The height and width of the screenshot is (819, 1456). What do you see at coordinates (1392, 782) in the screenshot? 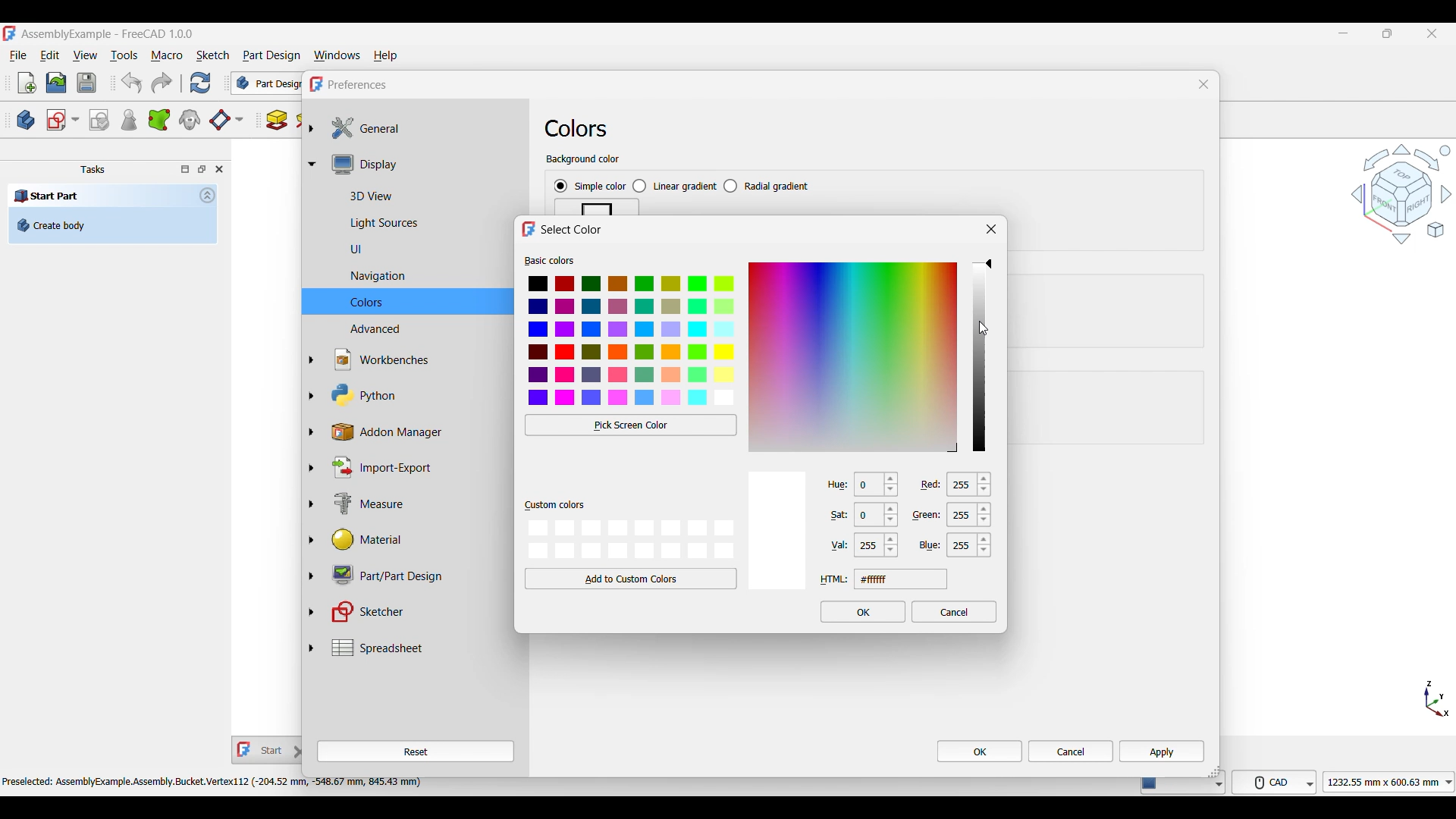
I see ` 1232.55 mmx 600.63 mm` at bounding box center [1392, 782].